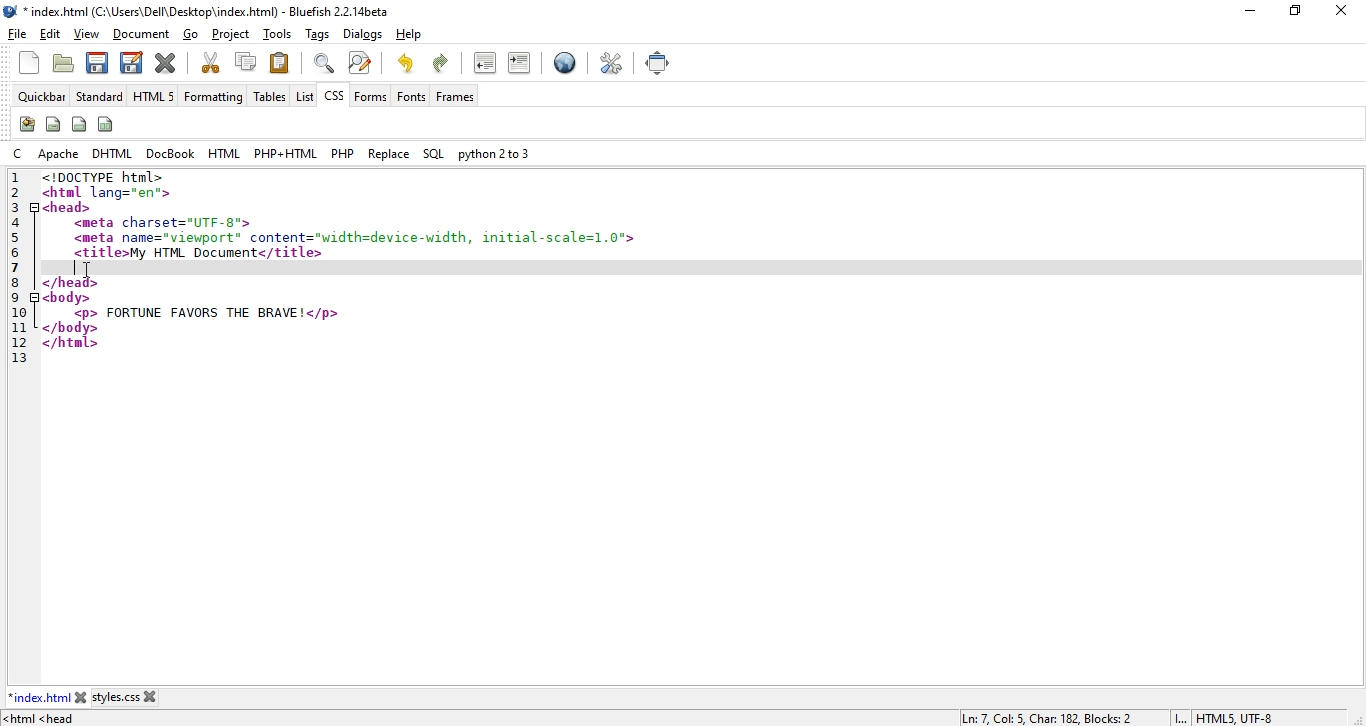  I want to click on 6, so click(20, 254).